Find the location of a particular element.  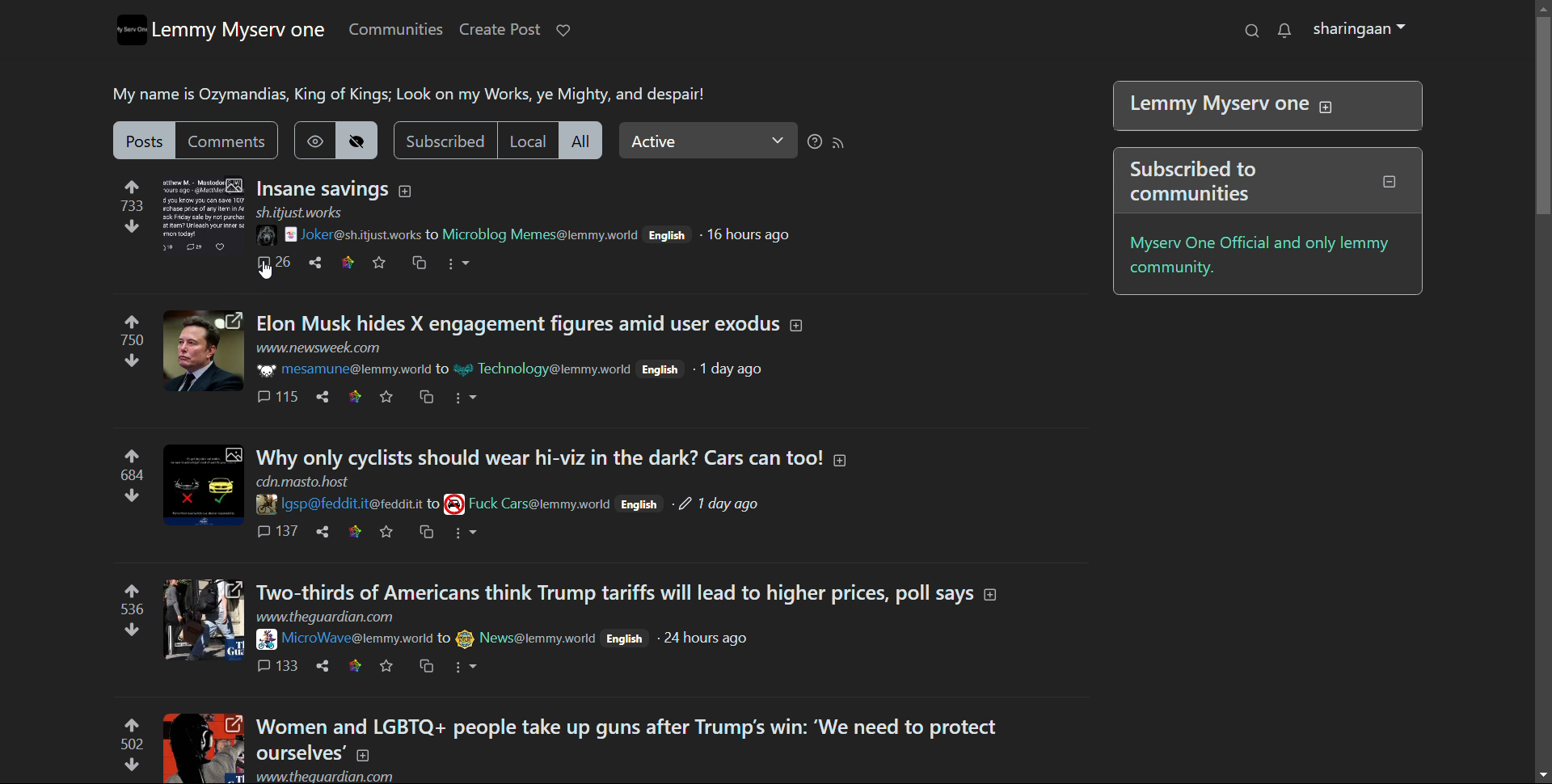

posts is located at coordinates (144, 140).